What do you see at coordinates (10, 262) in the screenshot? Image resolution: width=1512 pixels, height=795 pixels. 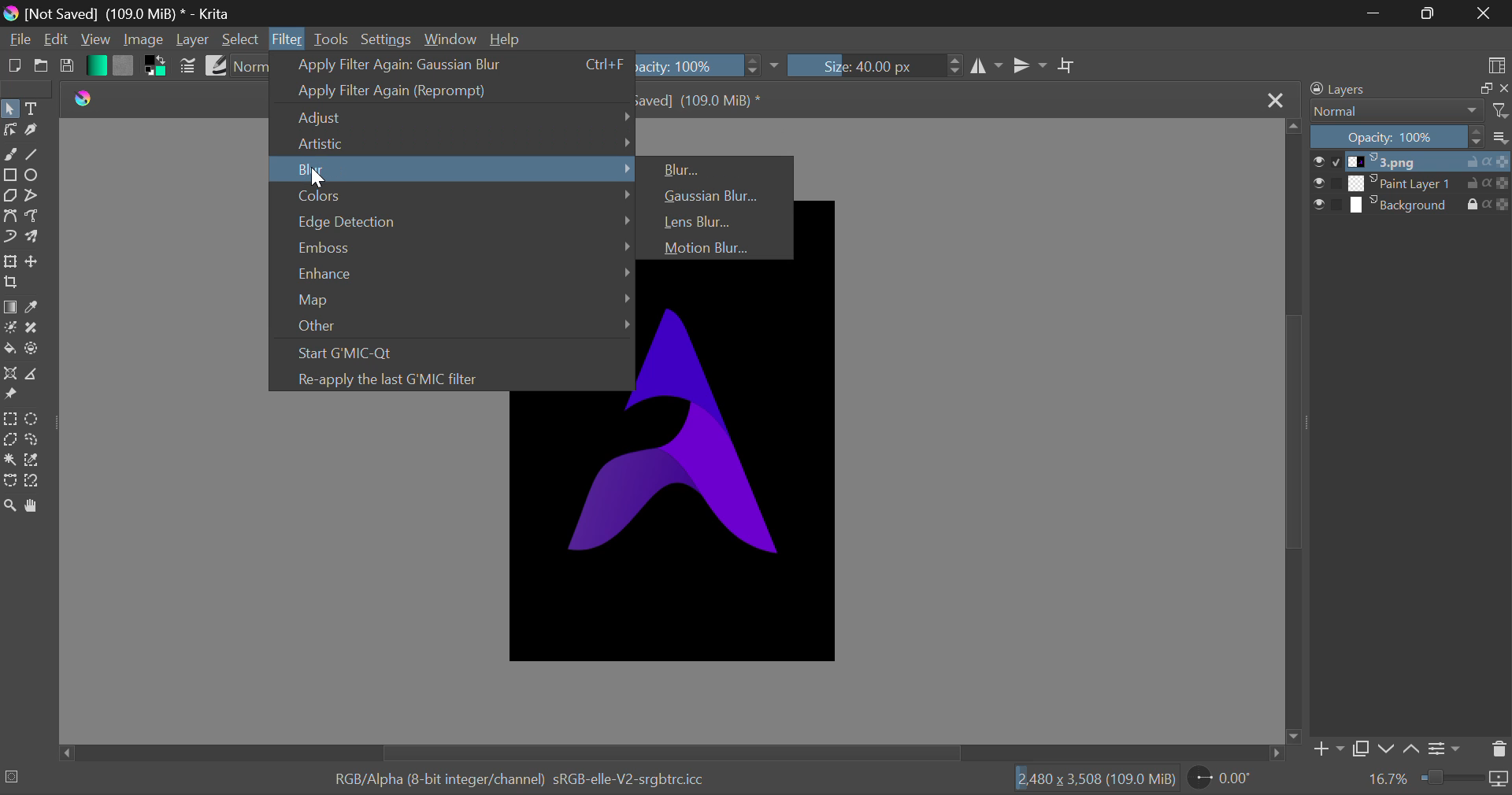 I see `Transform Layers` at bounding box center [10, 262].